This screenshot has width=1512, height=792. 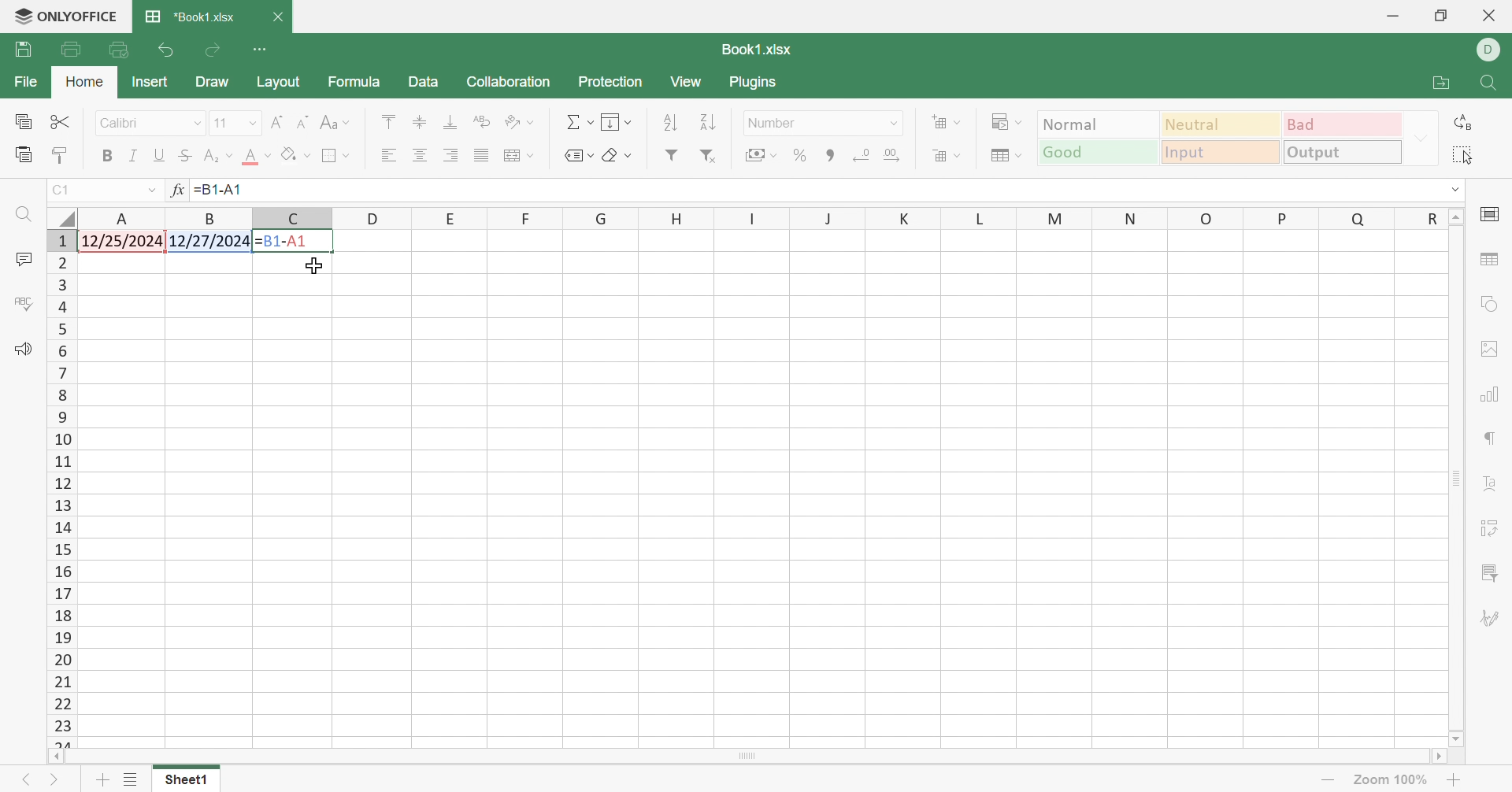 I want to click on Zoom In, so click(x=1456, y=779).